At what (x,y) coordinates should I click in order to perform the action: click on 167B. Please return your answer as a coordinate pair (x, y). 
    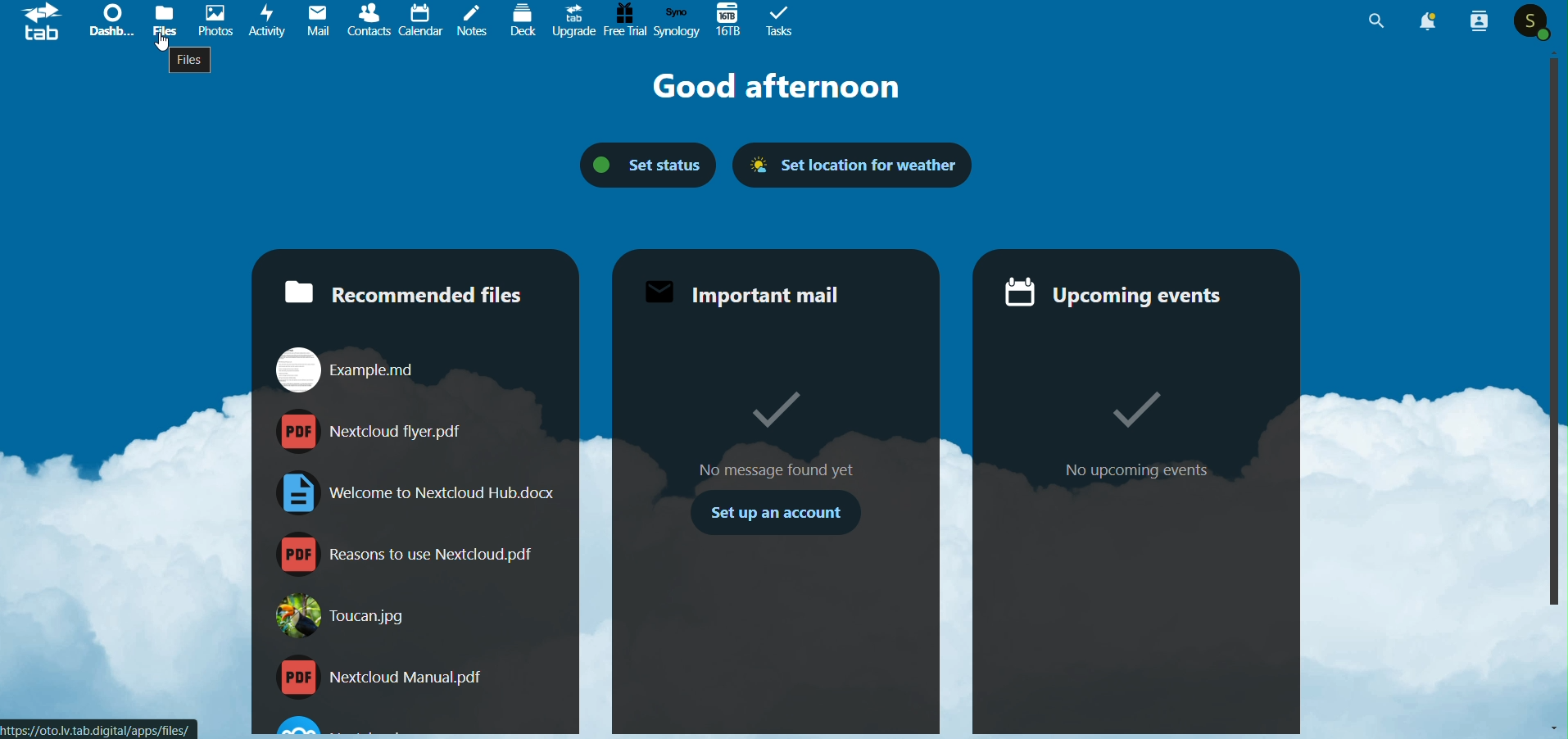
    Looking at the image, I should click on (726, 20).